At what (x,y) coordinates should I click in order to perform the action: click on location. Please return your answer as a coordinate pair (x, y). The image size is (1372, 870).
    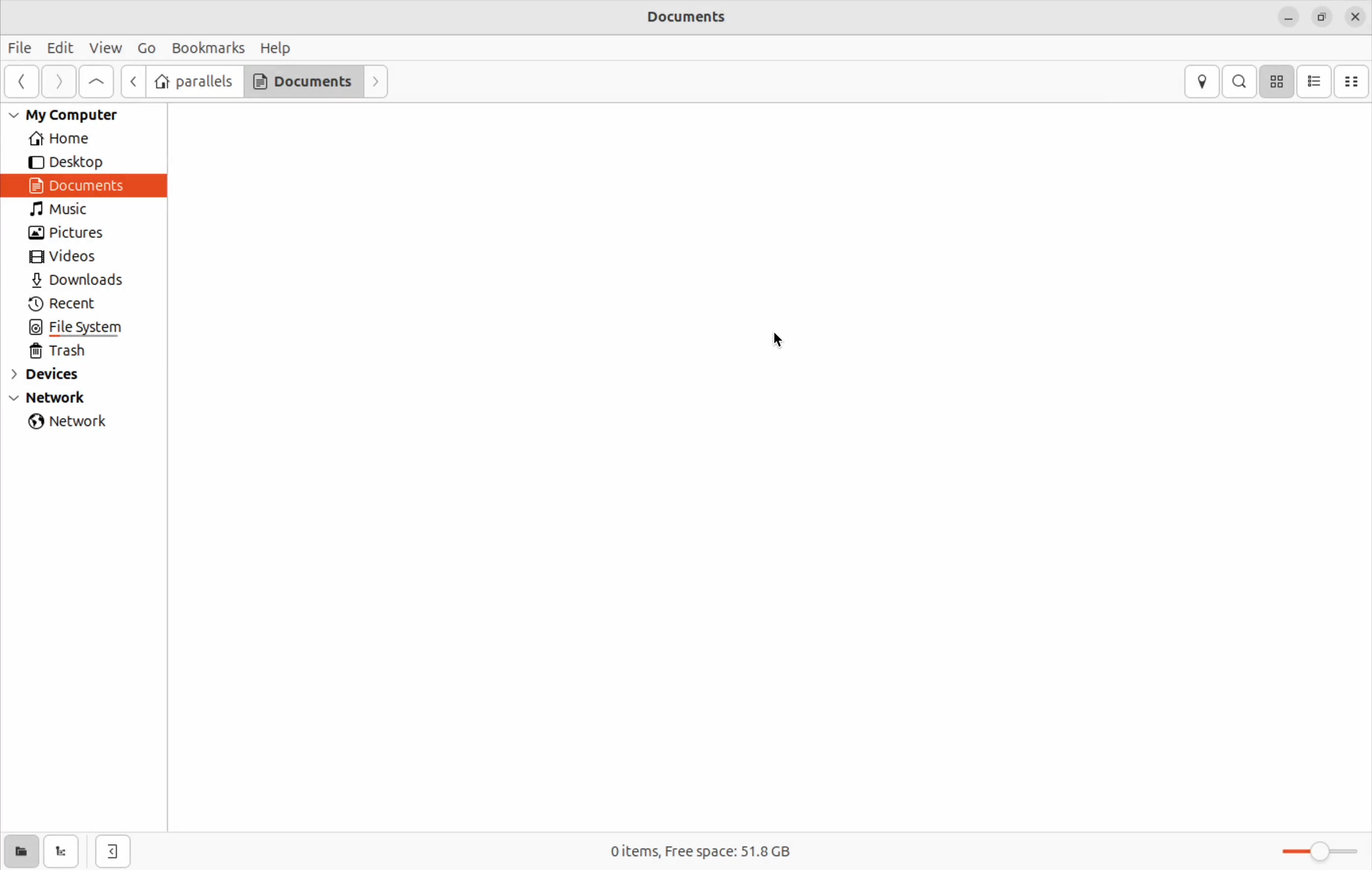
    Looking at the image, I should click on (1201, 81).